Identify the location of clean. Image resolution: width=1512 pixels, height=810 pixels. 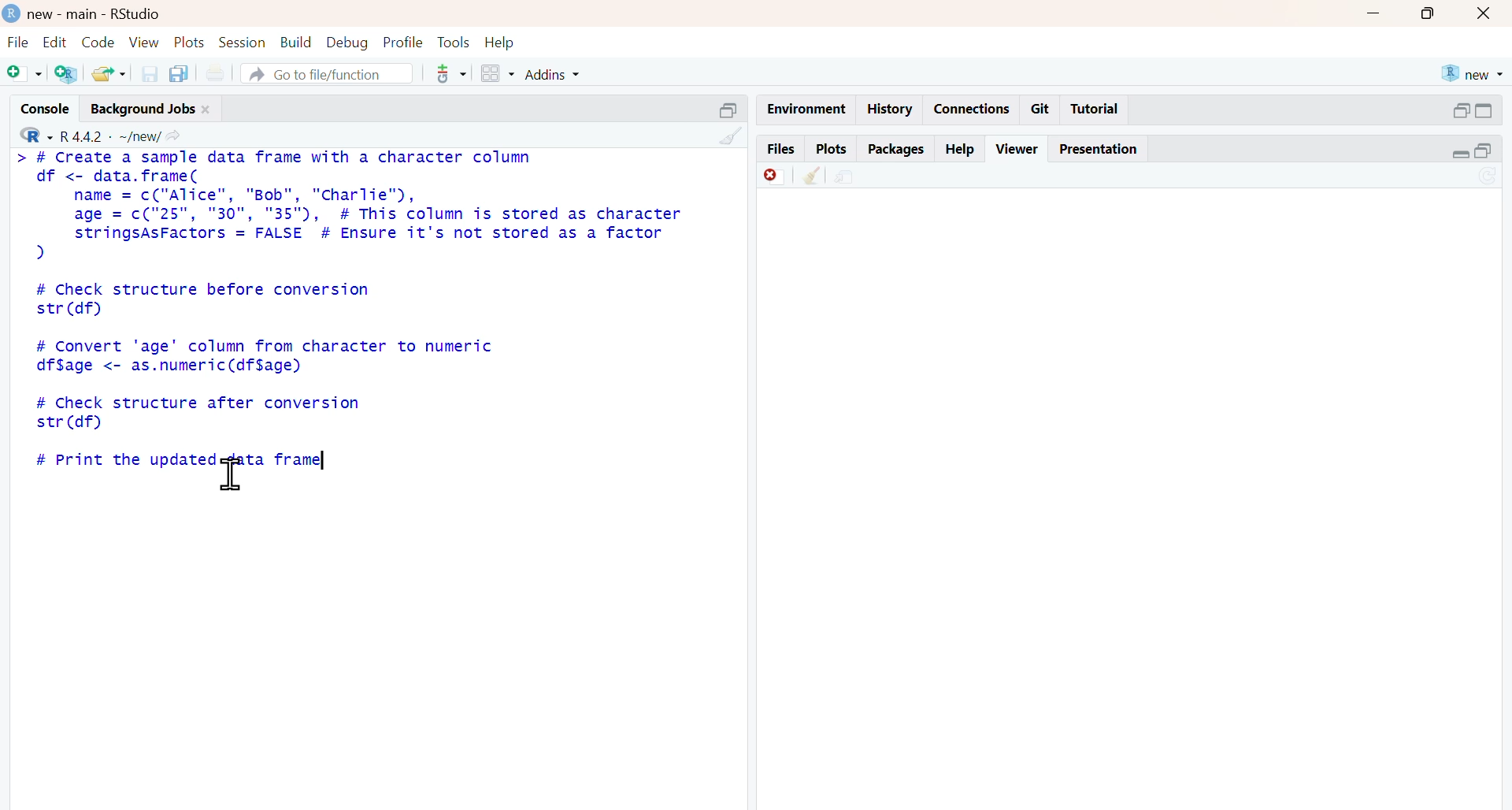
(732, 136).